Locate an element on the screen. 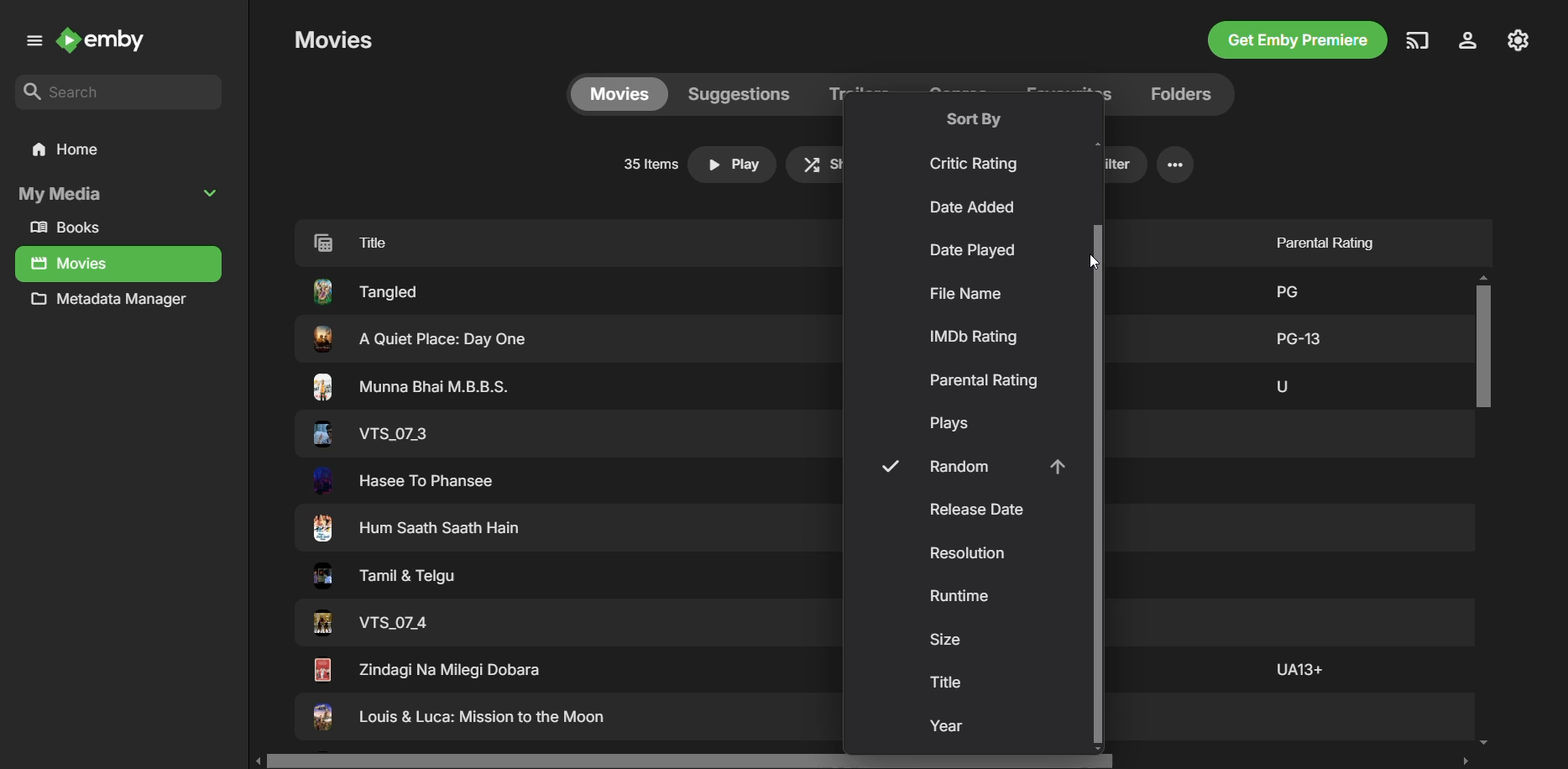 This screenshot has width=1568, height=769. Vertical Scroll Bar is located at coordinates (1095, 485).